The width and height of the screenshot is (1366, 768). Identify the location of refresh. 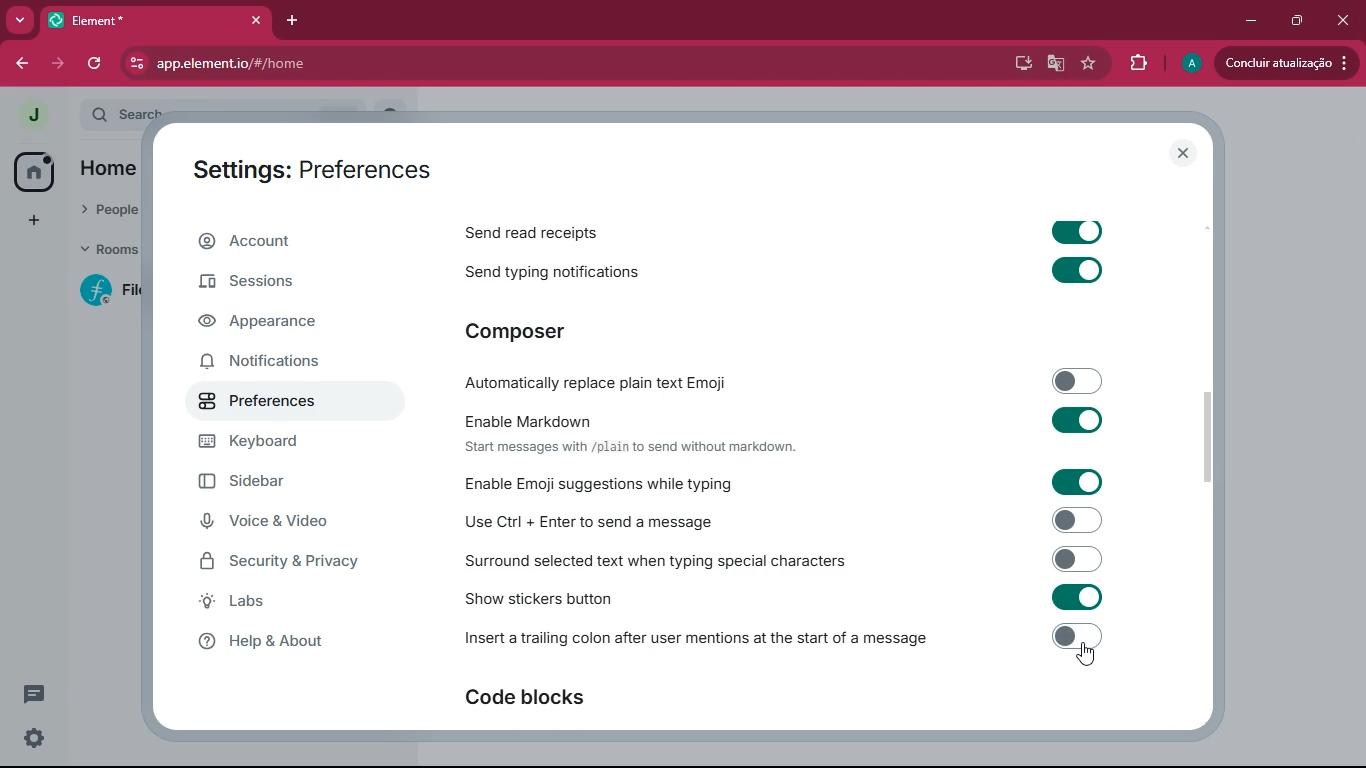
(102, 63).